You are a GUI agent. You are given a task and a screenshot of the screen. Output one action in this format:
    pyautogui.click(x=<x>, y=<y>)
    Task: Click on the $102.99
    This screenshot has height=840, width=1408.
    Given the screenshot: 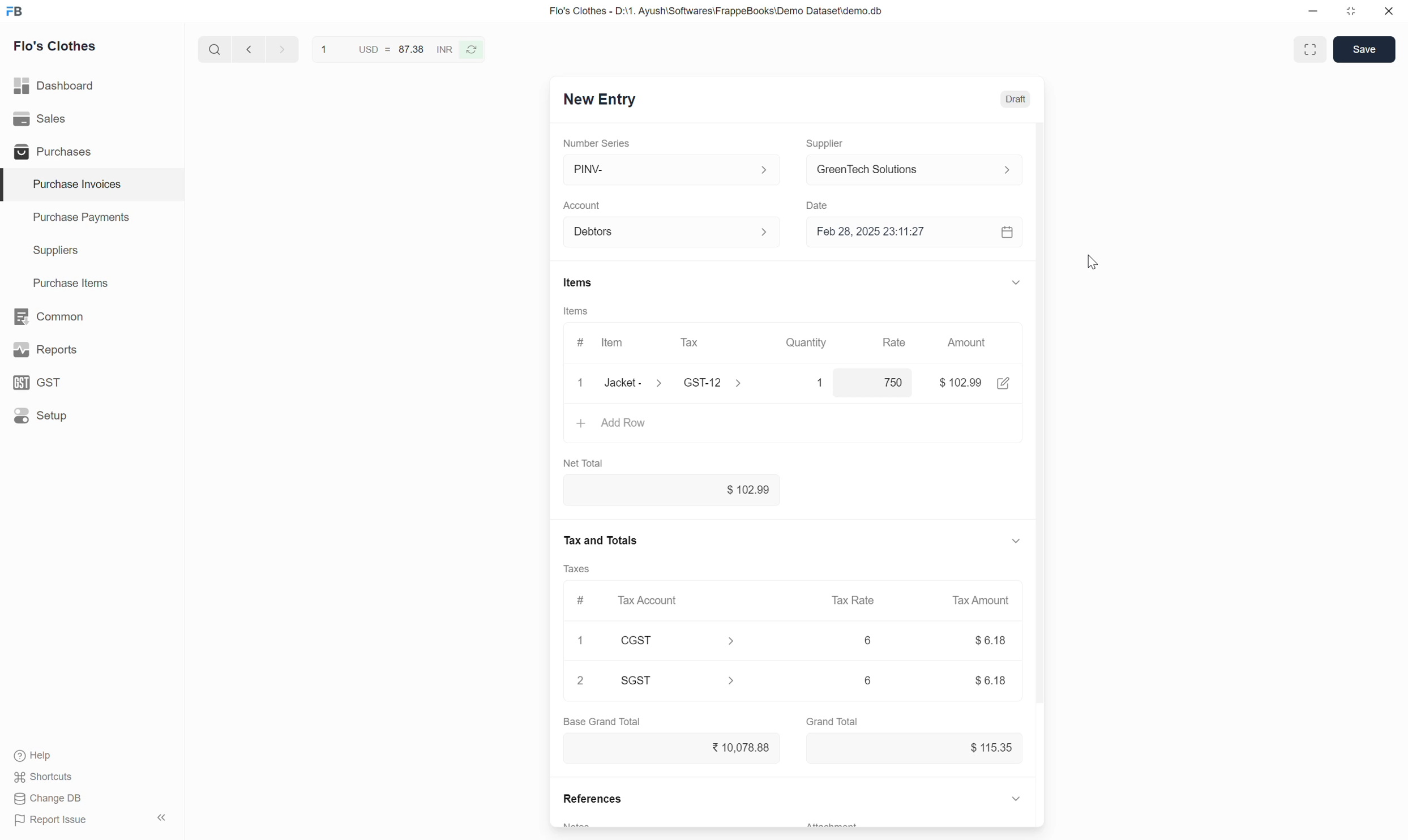 What is the action you would take?
    pyautogui.click(x=672, y=490)
    